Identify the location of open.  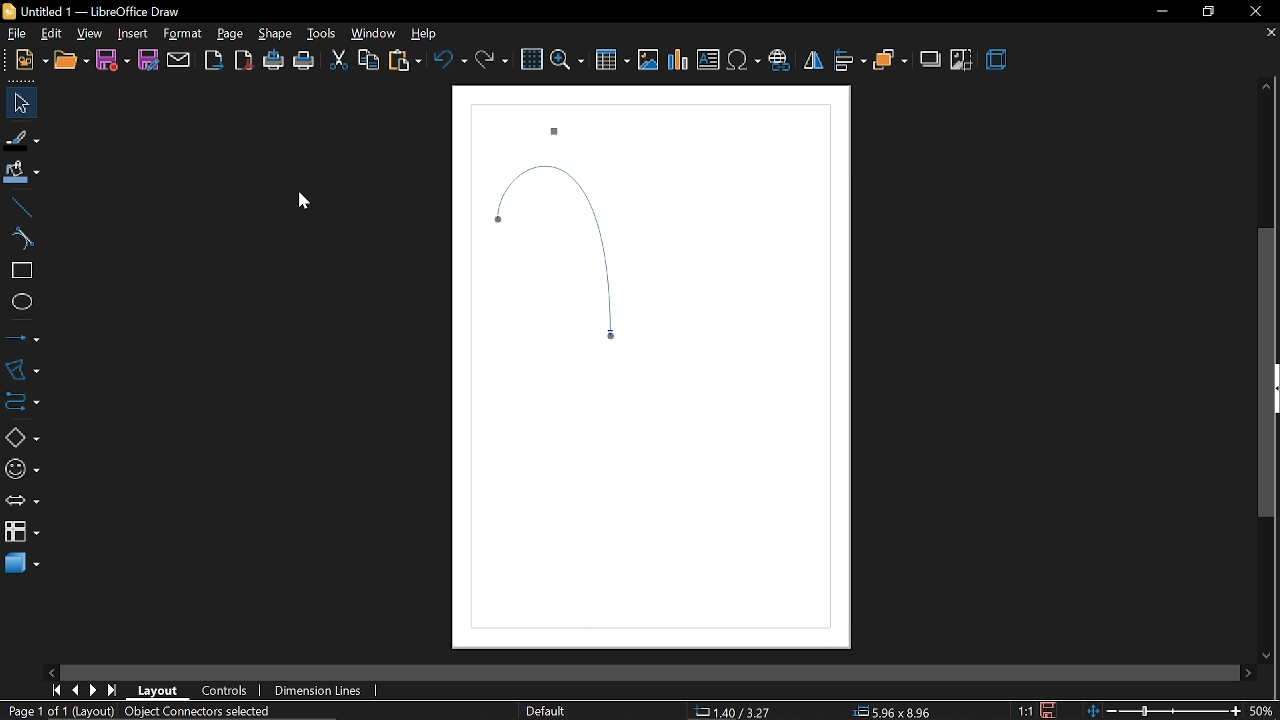
(69, 62).